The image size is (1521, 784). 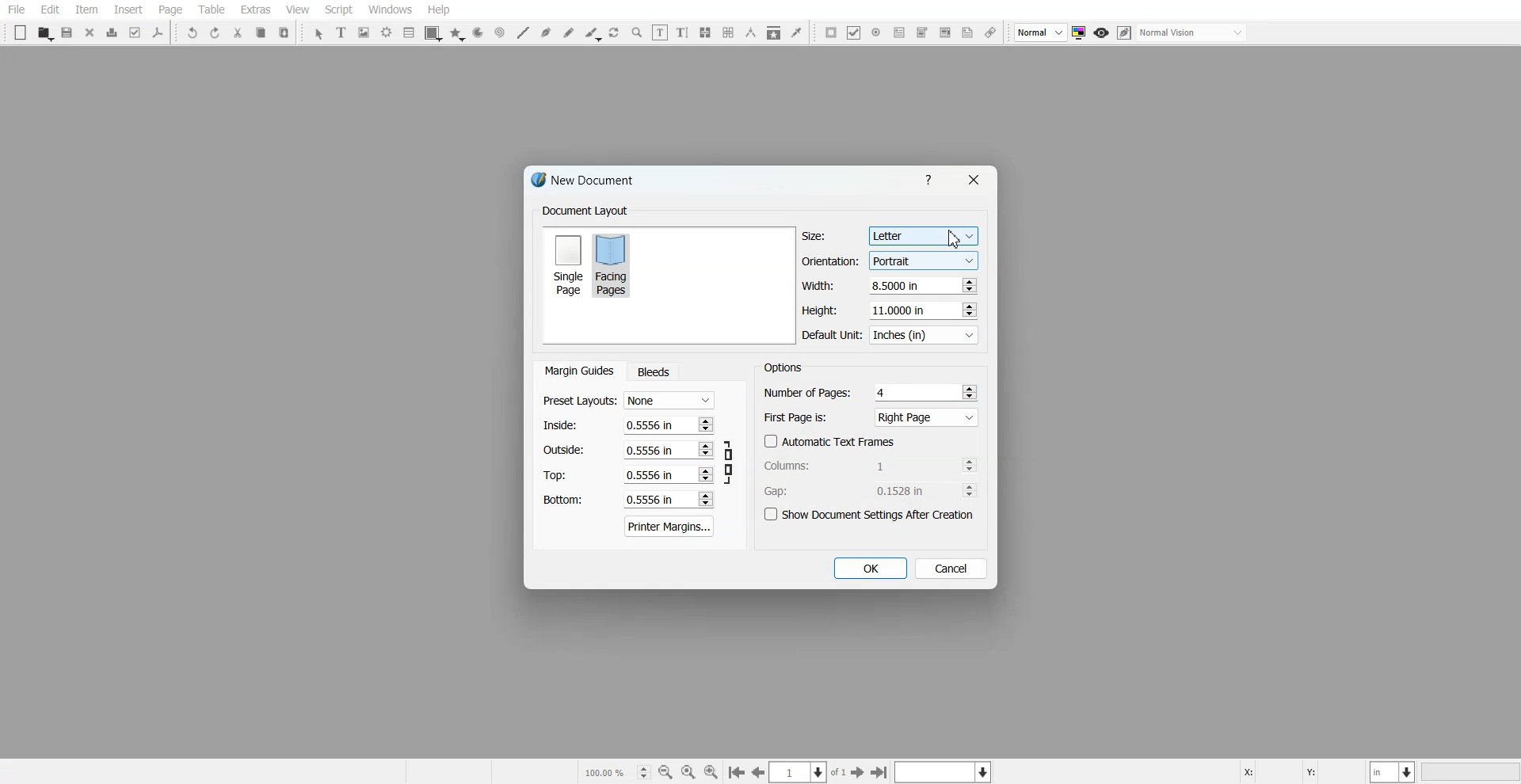 What do you see at coordinates (1125, 32) in the screenshot?
I see `Edit in preview mode` at bounding box center [1125, 32].